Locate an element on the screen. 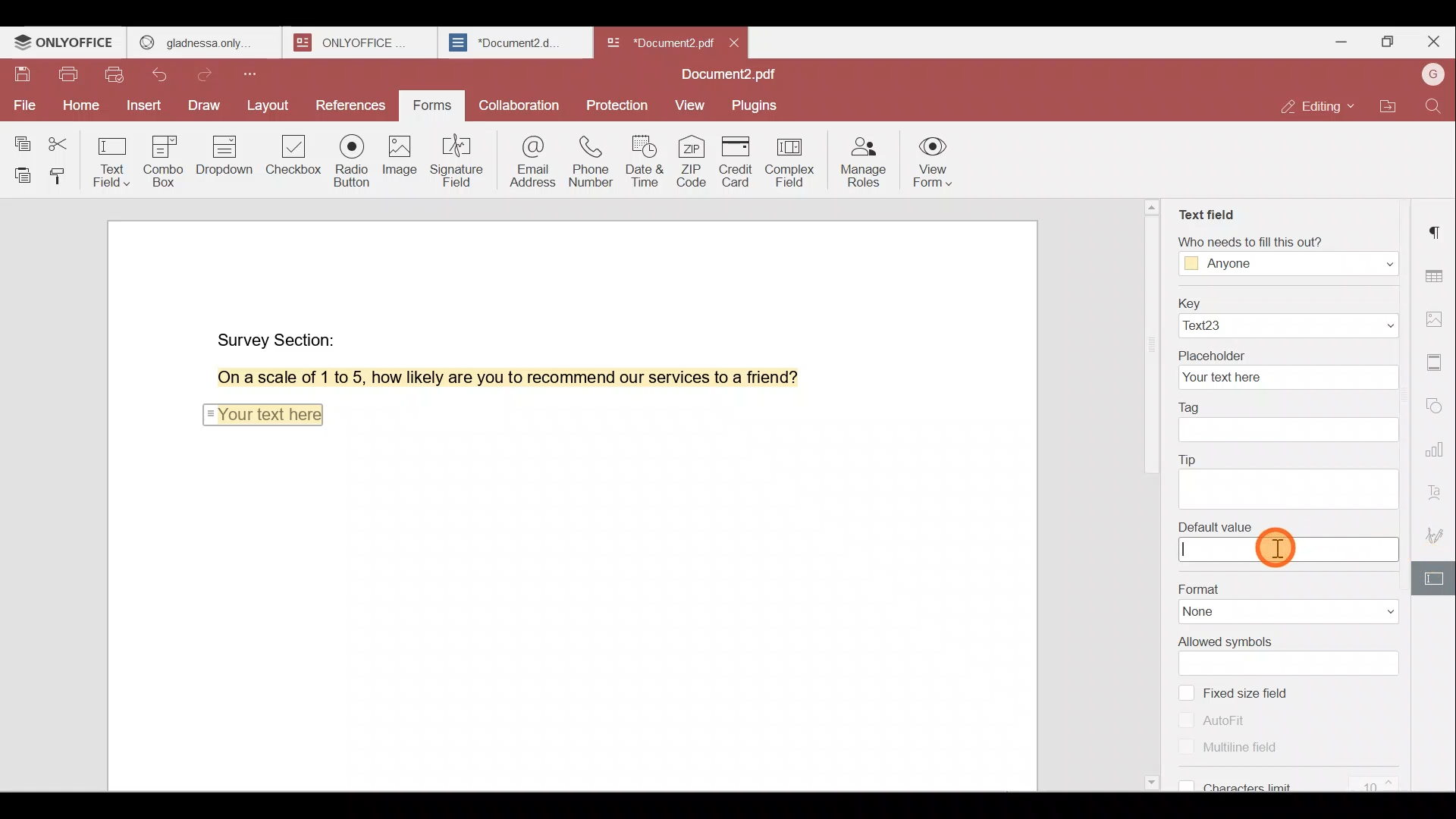 The width and height of the screenshot is (1456, 819). Draw is located at coordinates (206, 107).